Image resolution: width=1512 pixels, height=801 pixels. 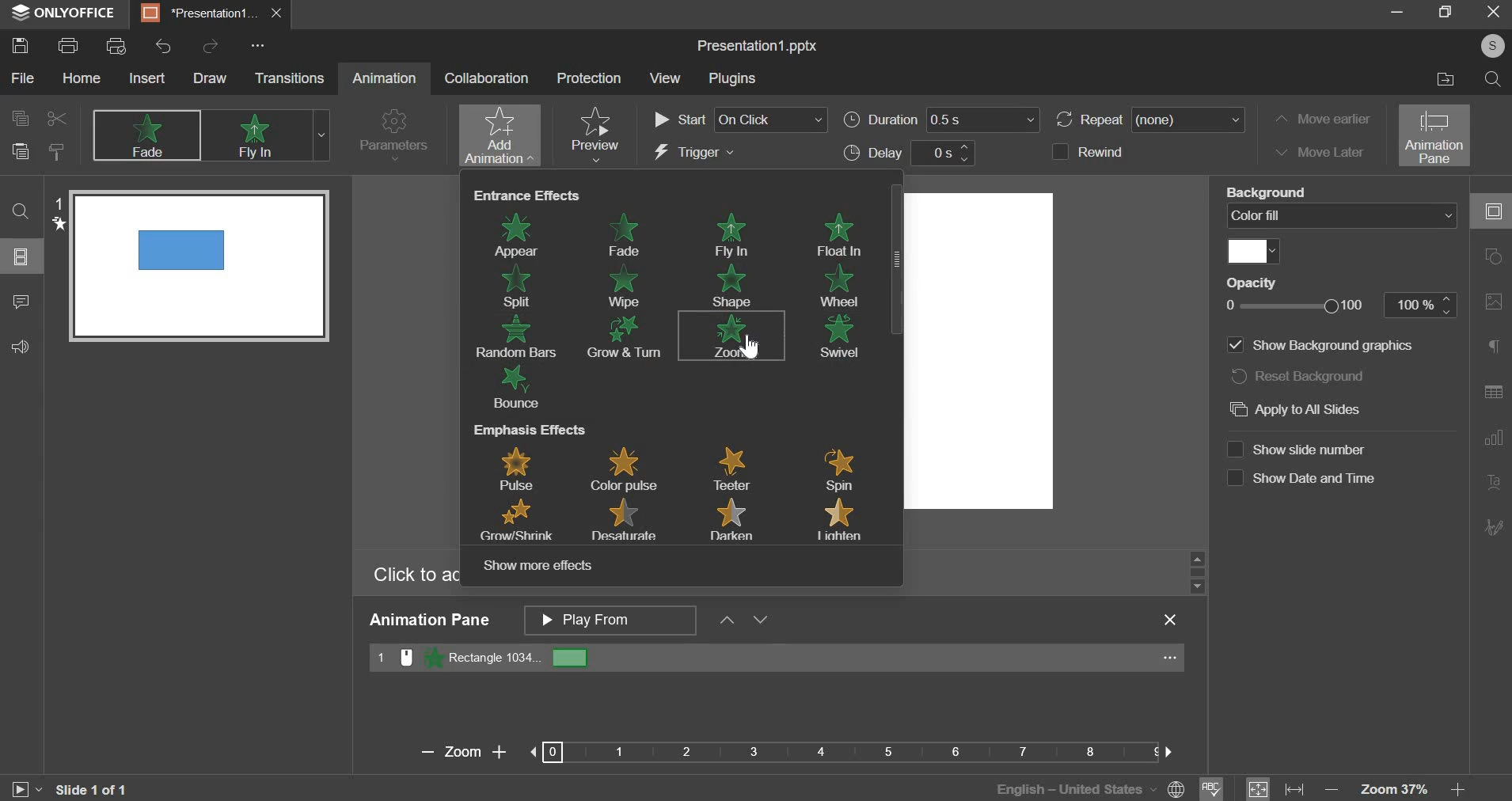 What do you see at coordinates (1332, 786) in the screenshot?
I see `zoom out` at bounding box center [1332, 786].